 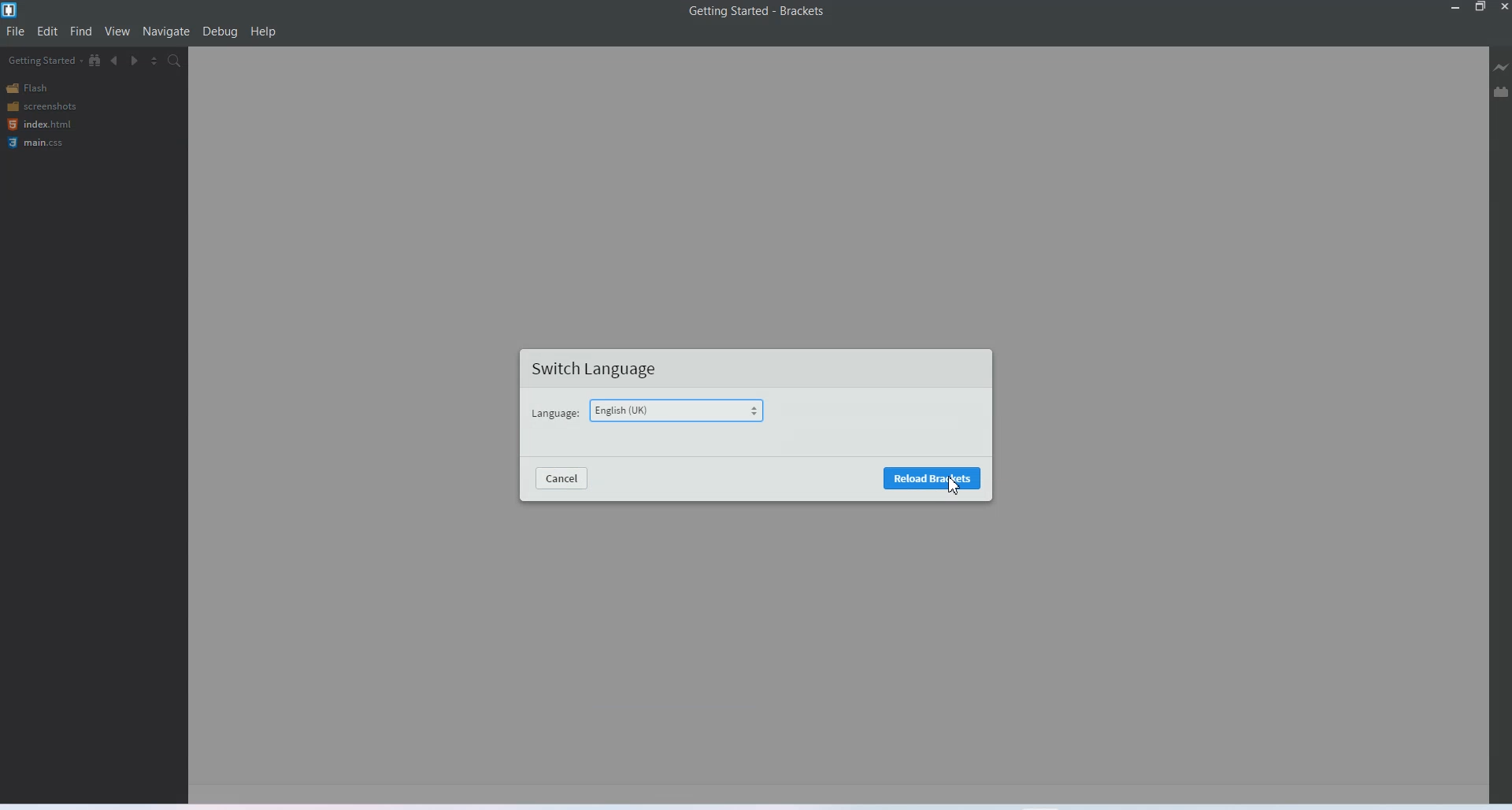 What do you see at coordinates (1480, 8) in the screenshot?
I see `maximize` at bounding box center [1480, 8].